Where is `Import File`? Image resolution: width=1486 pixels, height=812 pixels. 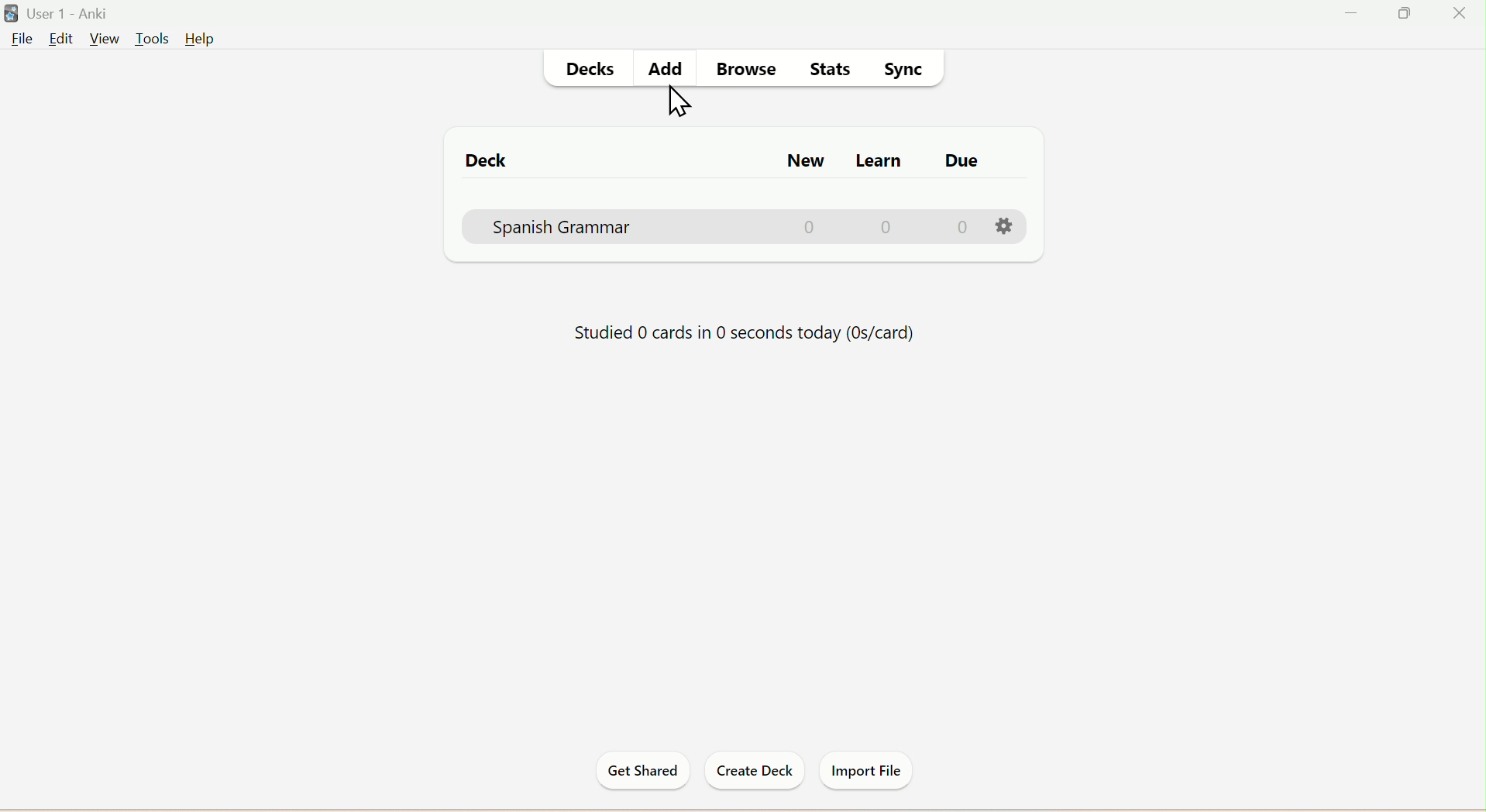 Import File is located at coordinates (865, 769).